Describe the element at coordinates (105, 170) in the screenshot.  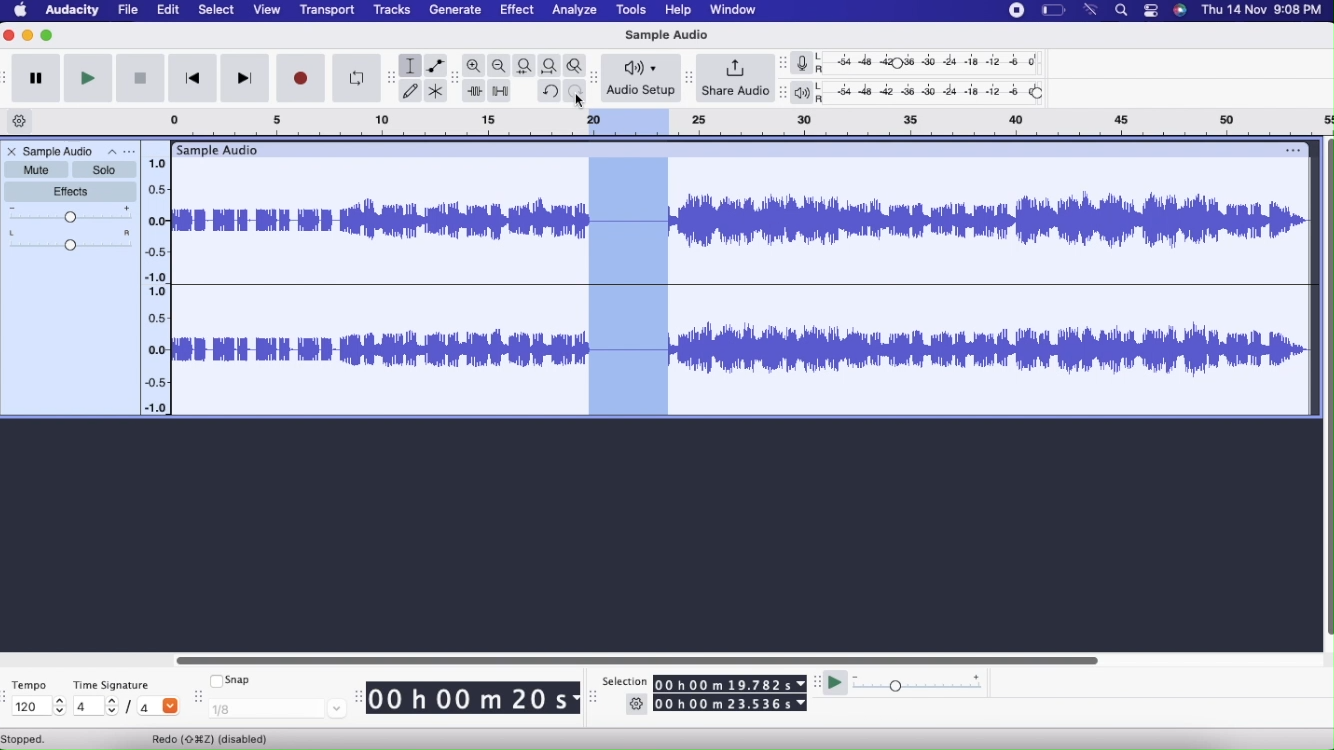
I see `Solo` at that location.